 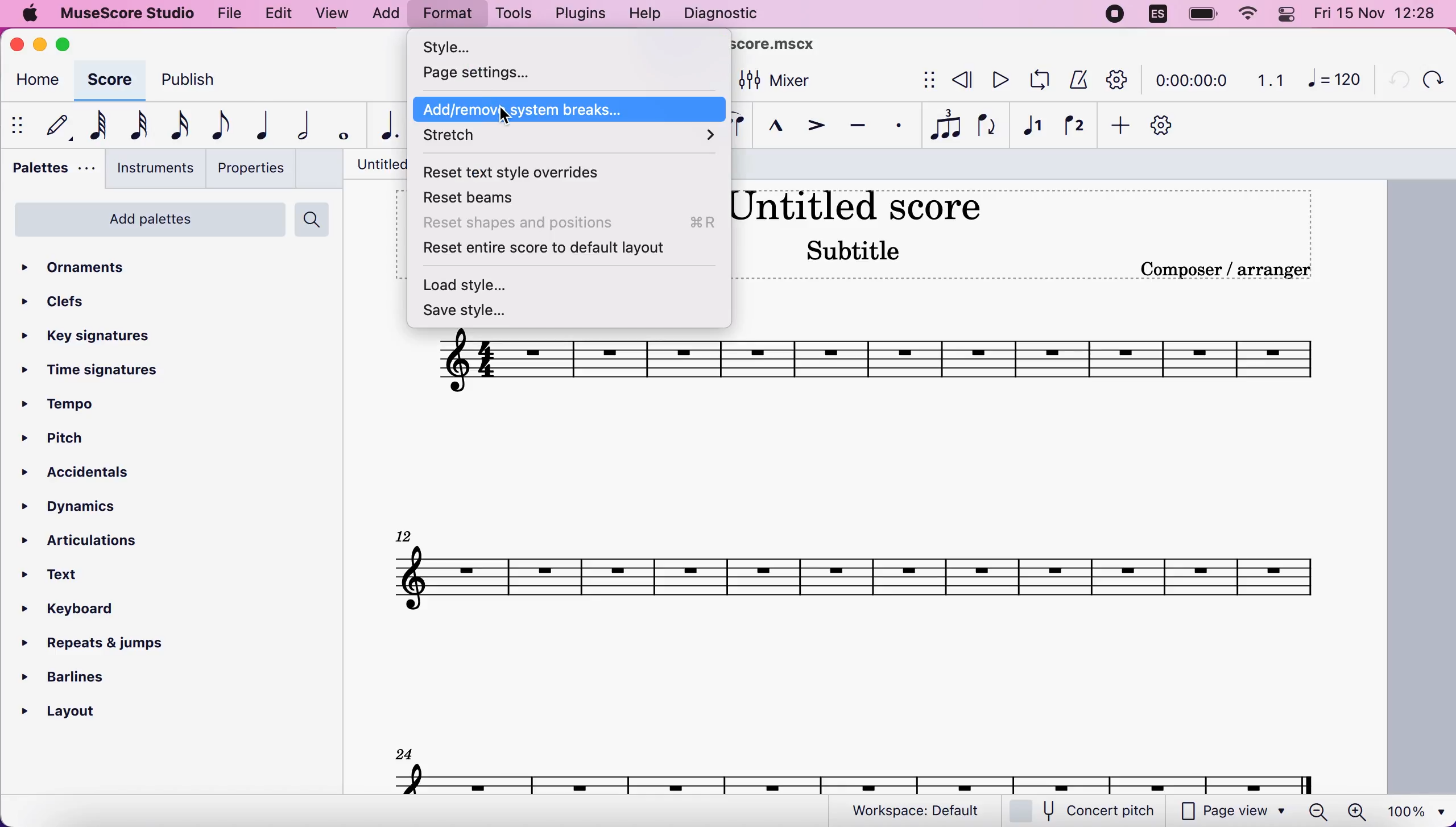 What do you see at coordinates (1076, 127) in the screenshot?
I see `voice 2` at bounding box center [1076, 127].